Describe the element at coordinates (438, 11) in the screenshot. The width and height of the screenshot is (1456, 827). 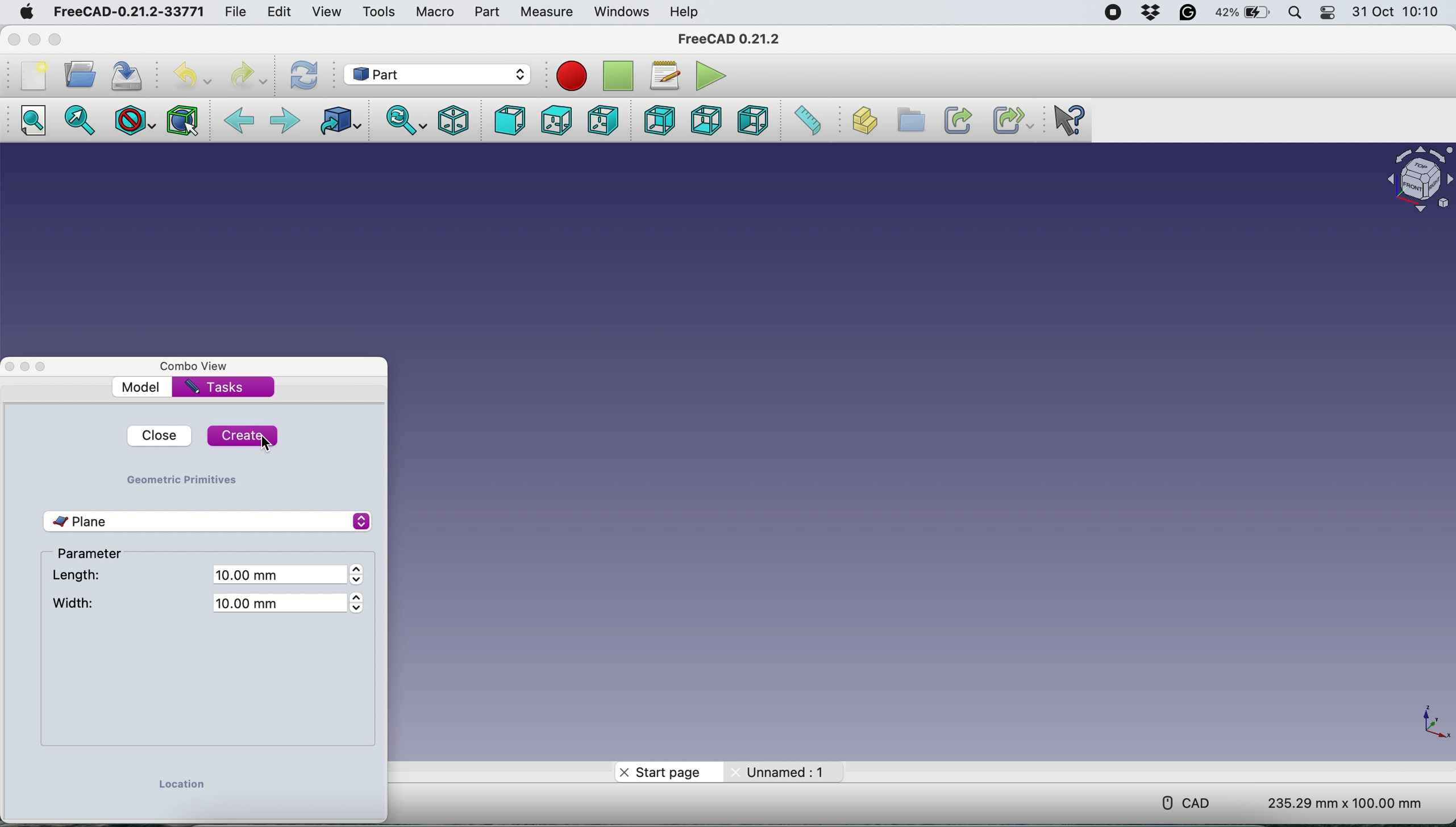
I see `Macro` at that location.